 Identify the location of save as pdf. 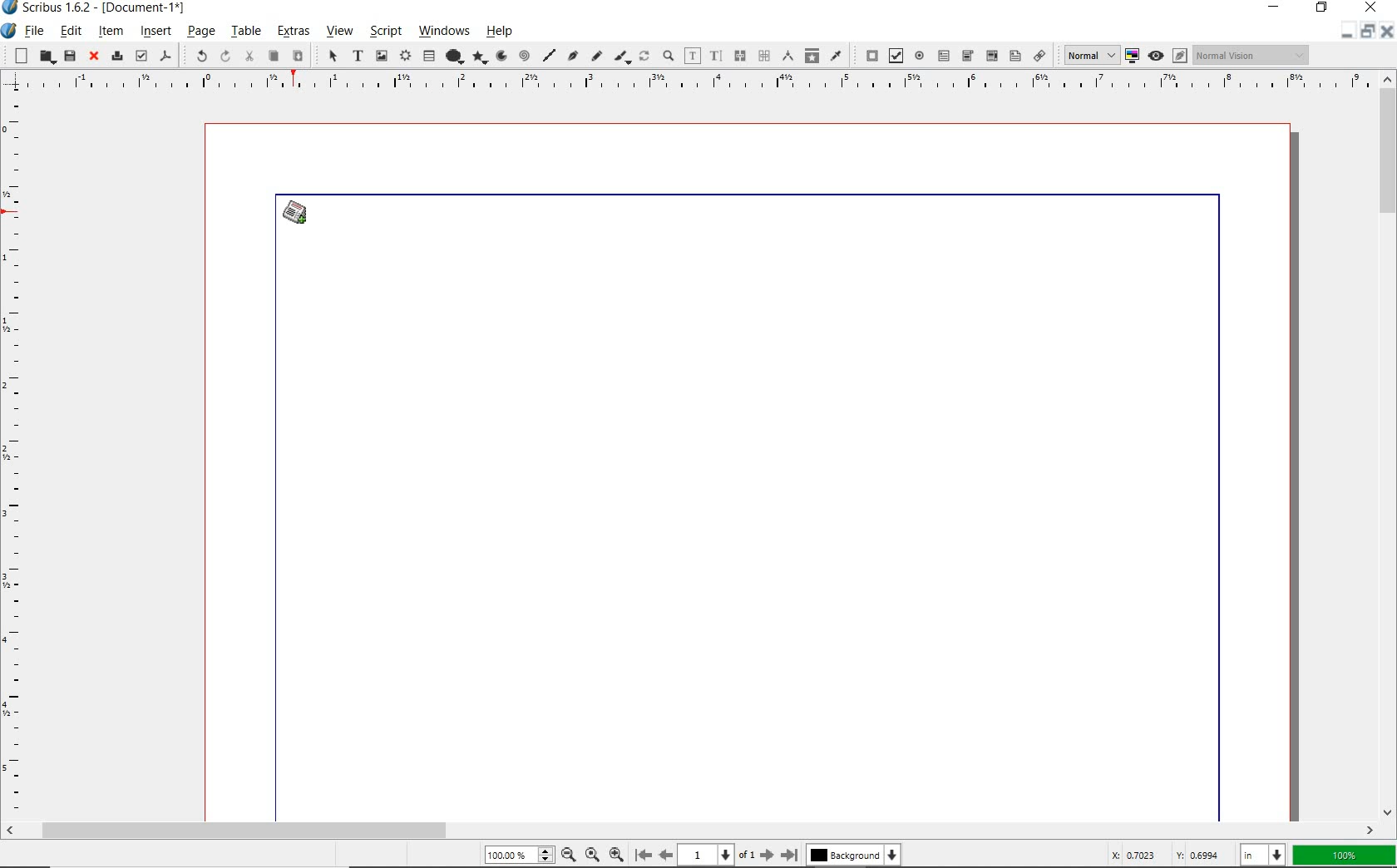
(163, 57).